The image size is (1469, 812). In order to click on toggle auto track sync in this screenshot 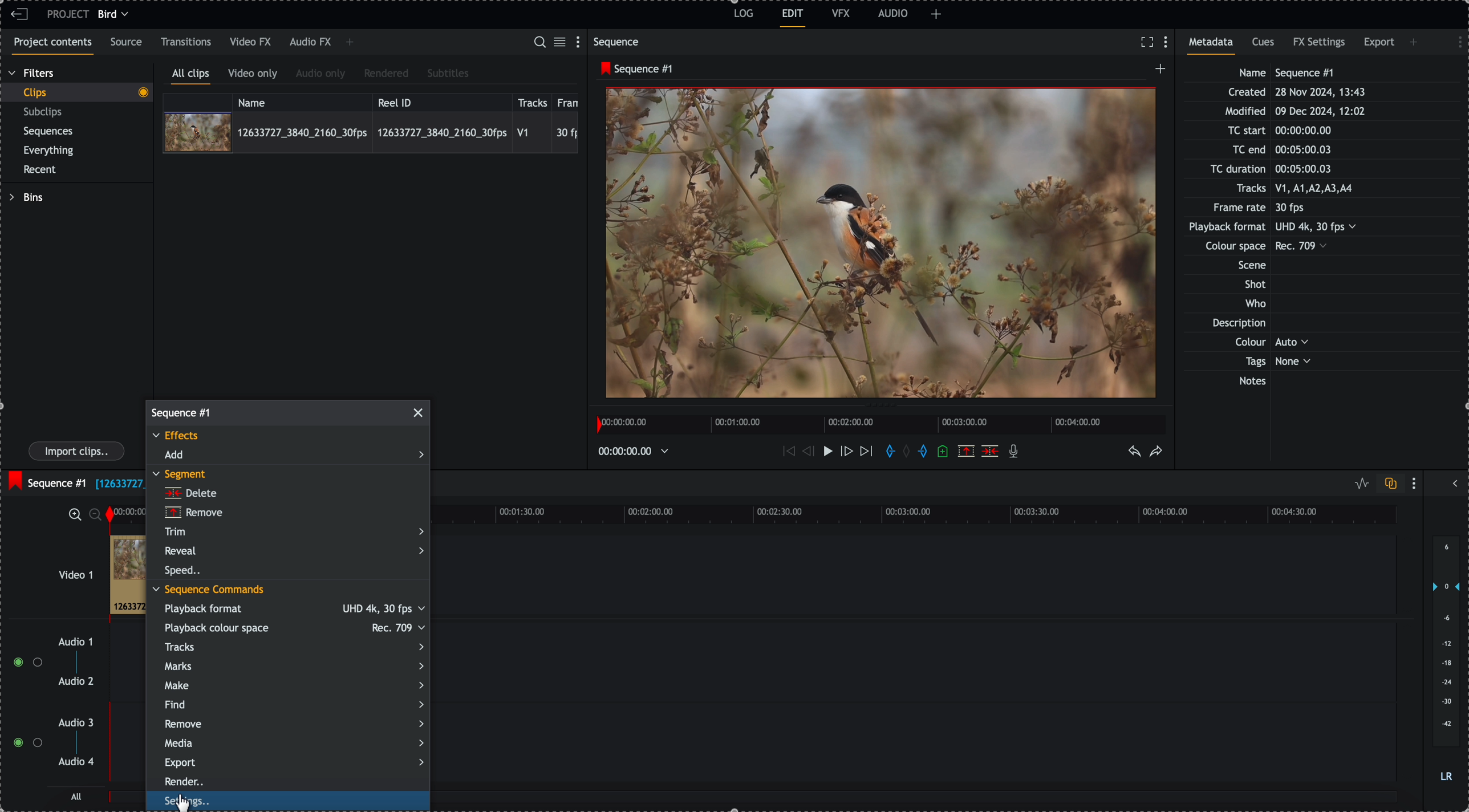, I will do `click(1388, 484)`.